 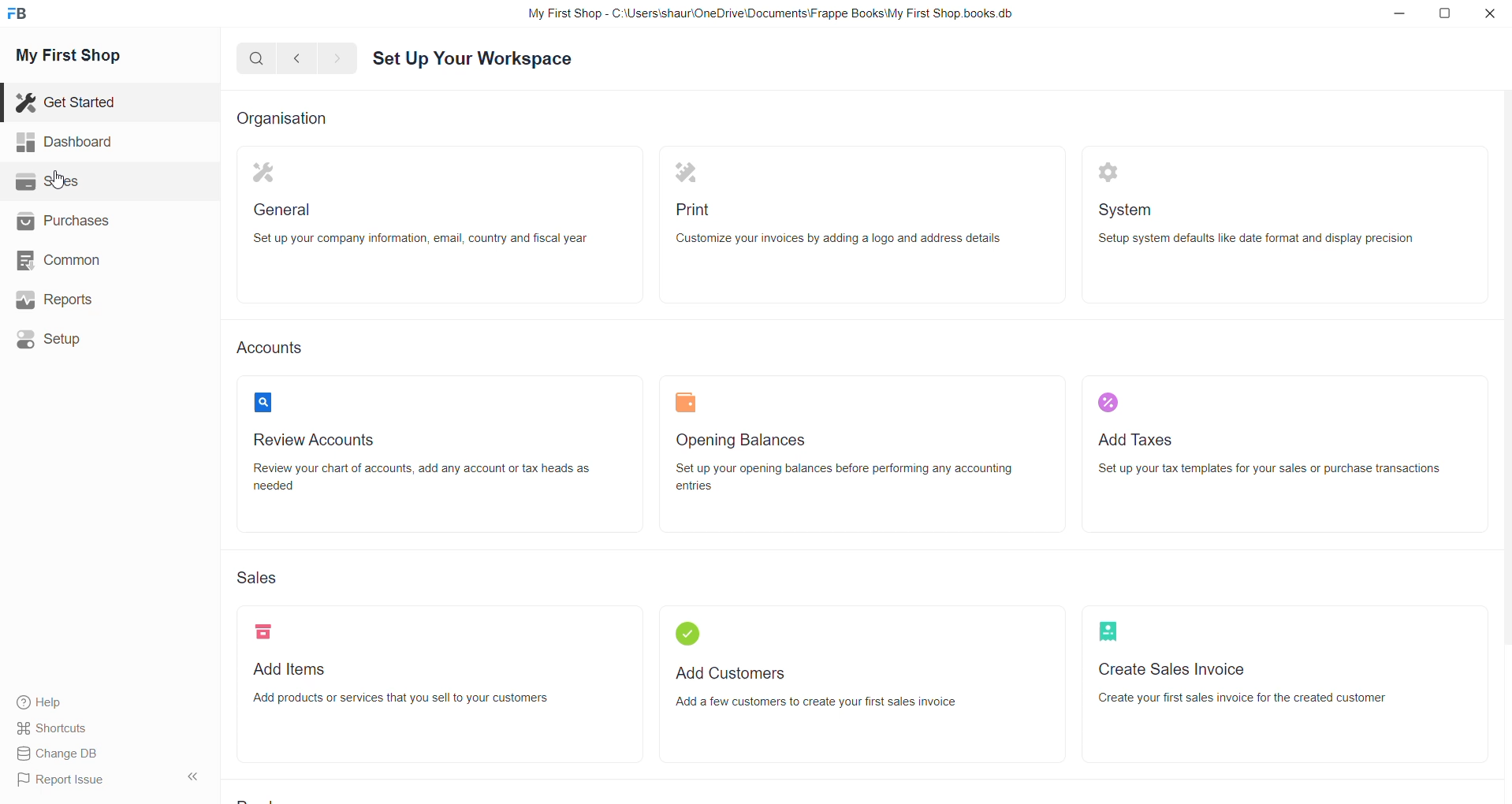 What do you see at coordinates (53, 728) in the screenshot?
I see `Shortcuts` at bounding box center [53, 728].